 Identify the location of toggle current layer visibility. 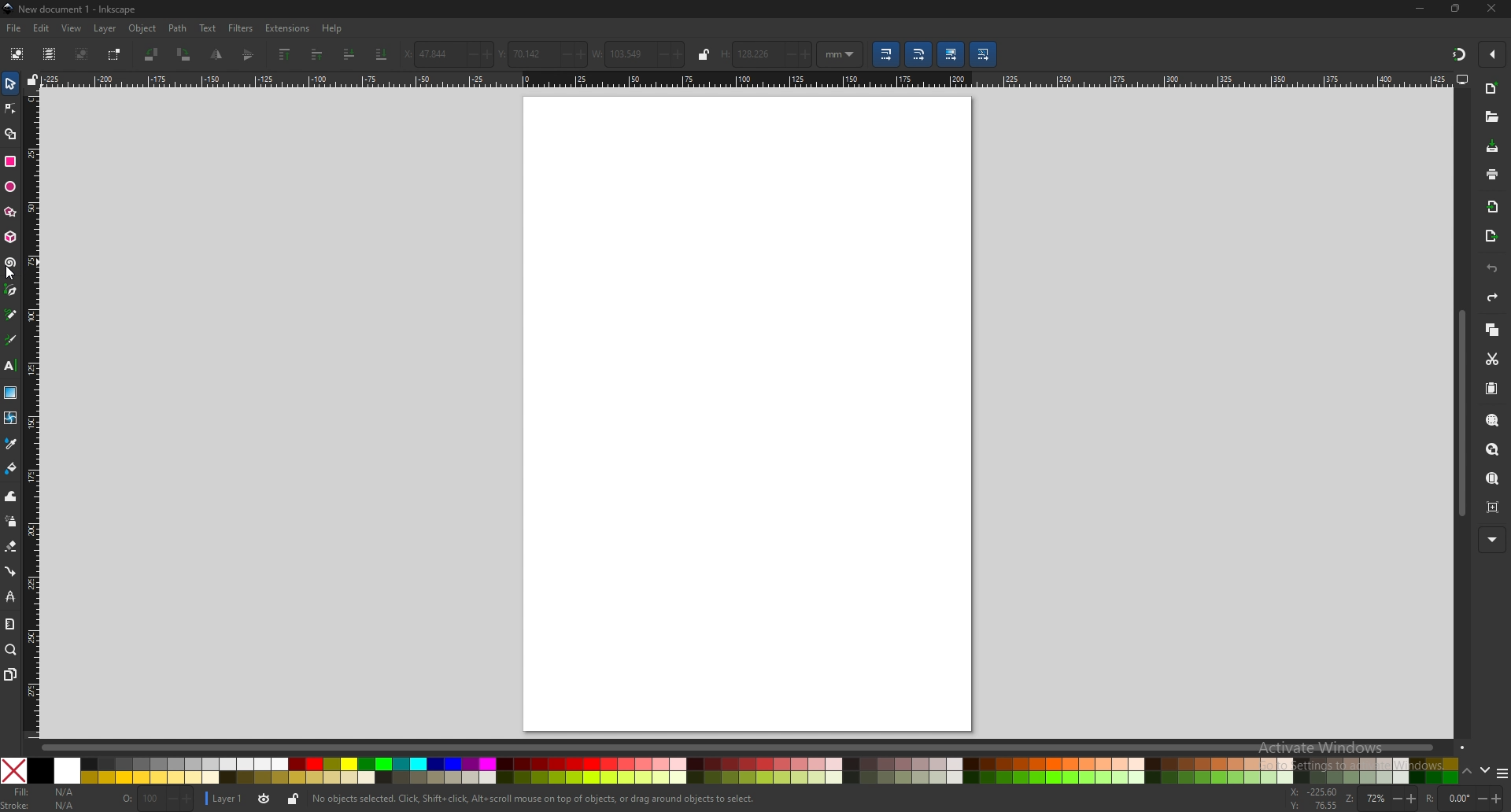
(265, 799).